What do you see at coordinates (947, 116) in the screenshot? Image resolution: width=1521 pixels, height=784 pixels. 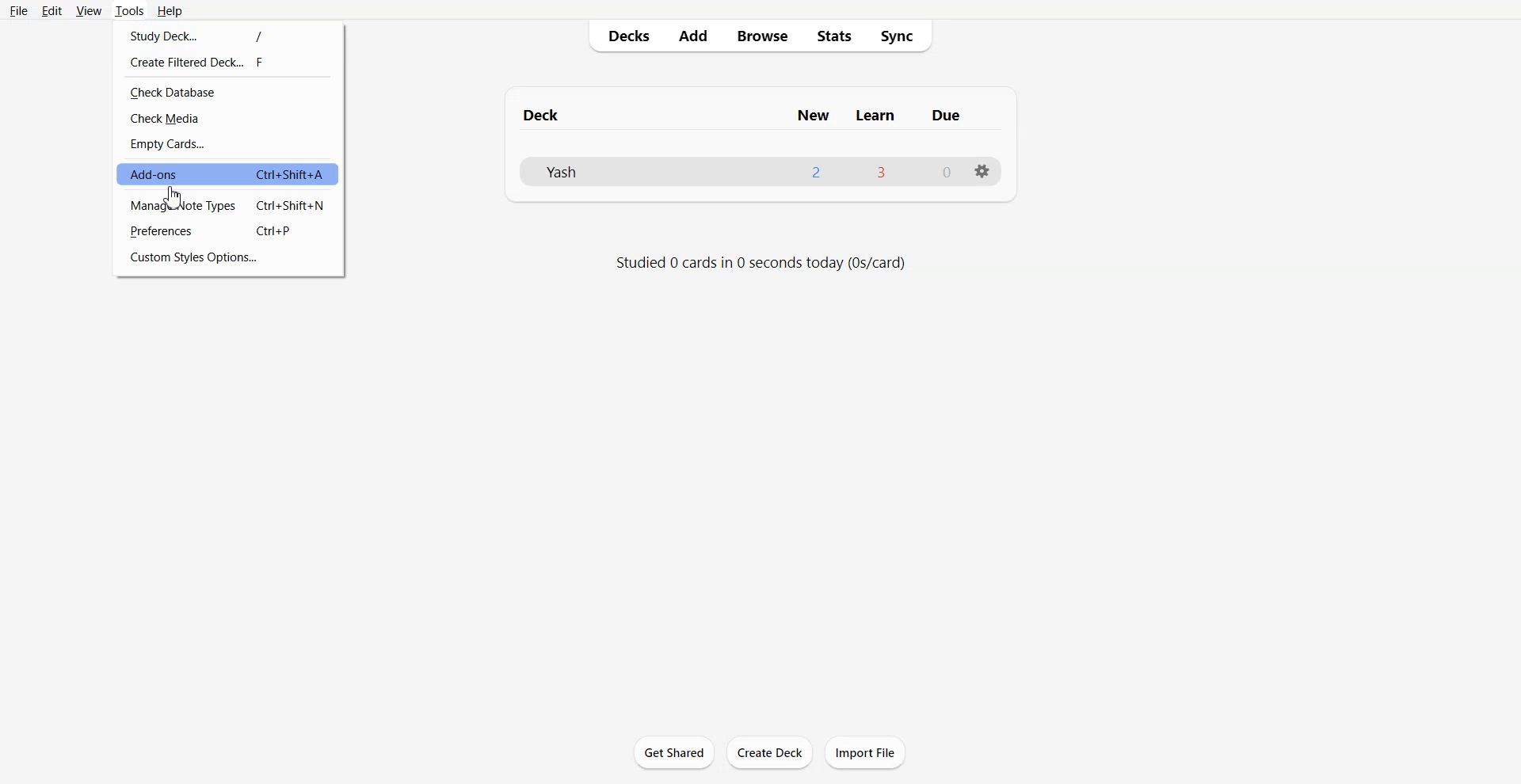 I see `Due` at bounding box center [947, 116].